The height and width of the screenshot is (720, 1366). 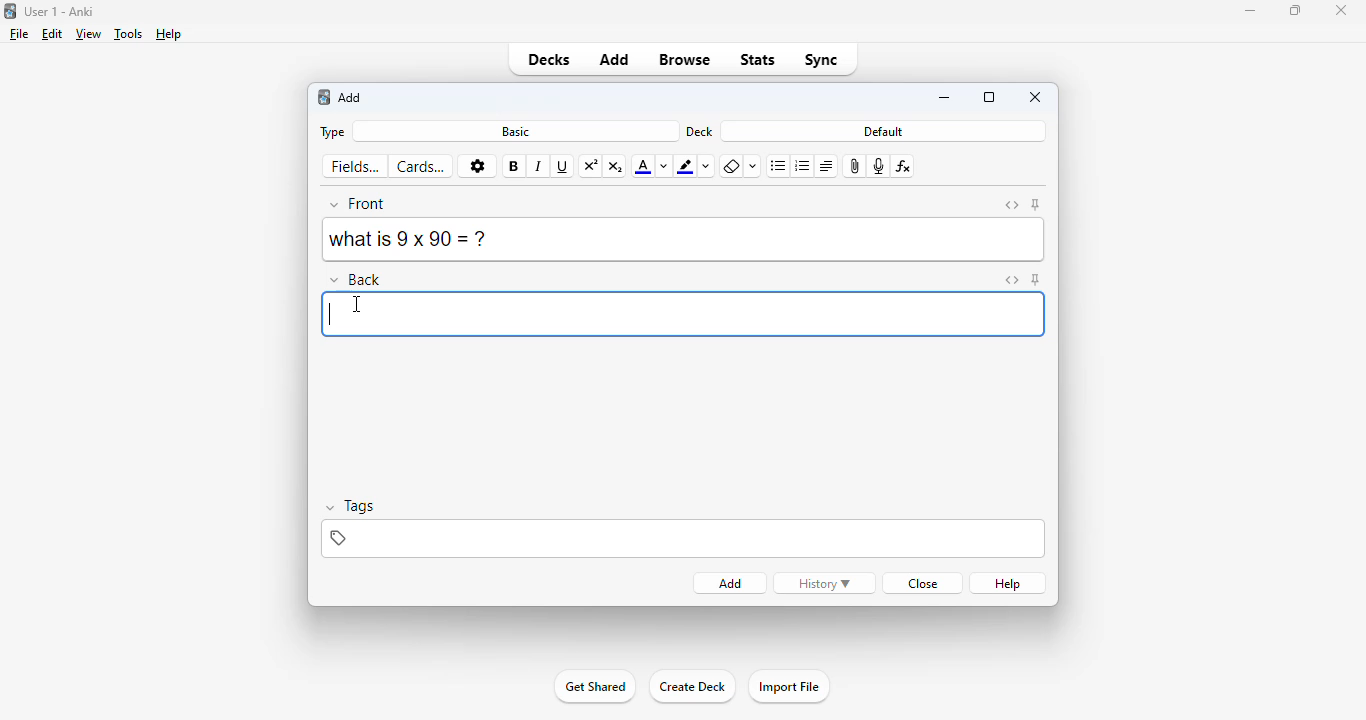 I want to click on unordered list, so click(x=779, y=167).